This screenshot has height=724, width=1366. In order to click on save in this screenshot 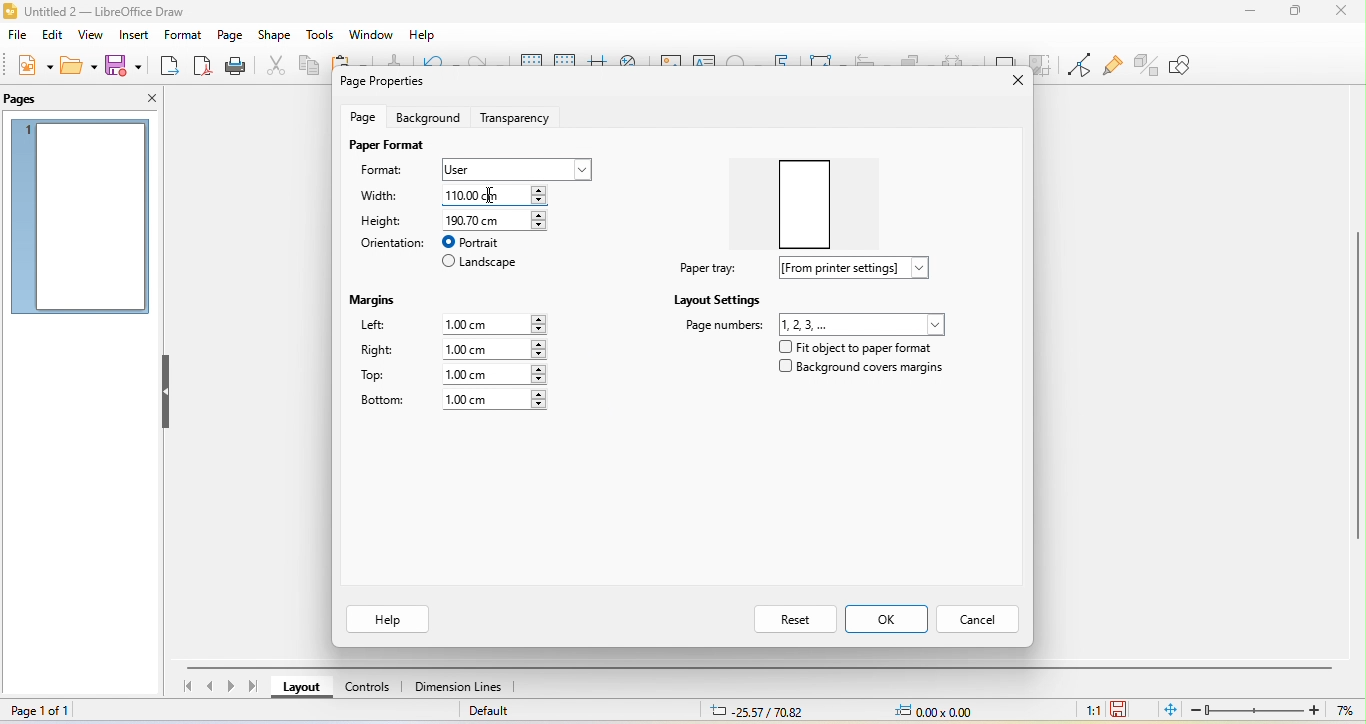, I will do `click(127, 64)`.